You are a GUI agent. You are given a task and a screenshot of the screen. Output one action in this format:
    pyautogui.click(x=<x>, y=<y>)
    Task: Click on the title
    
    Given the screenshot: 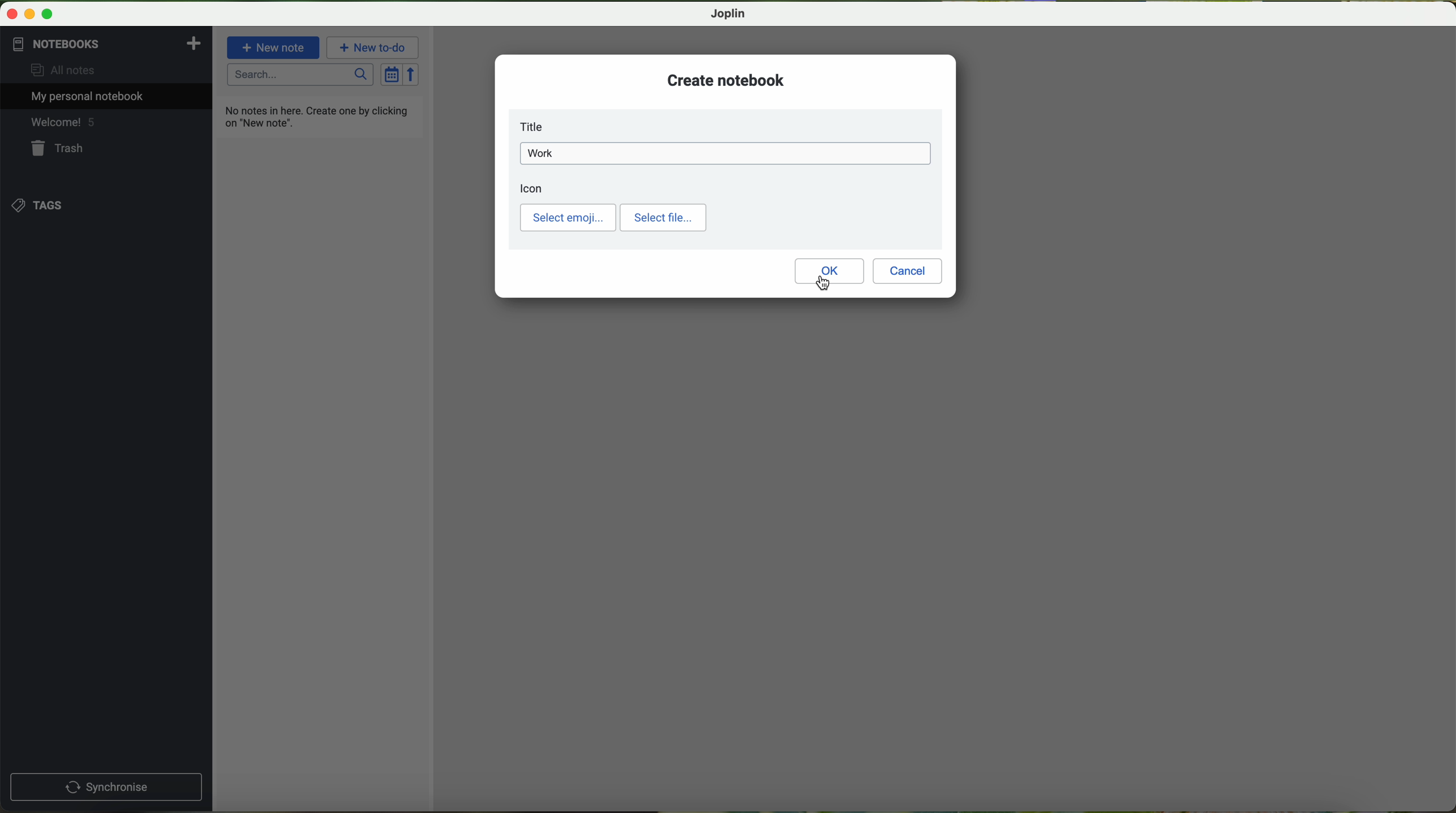 What is the action you would take?
    pyautogui.click(x=535, y=127)
    